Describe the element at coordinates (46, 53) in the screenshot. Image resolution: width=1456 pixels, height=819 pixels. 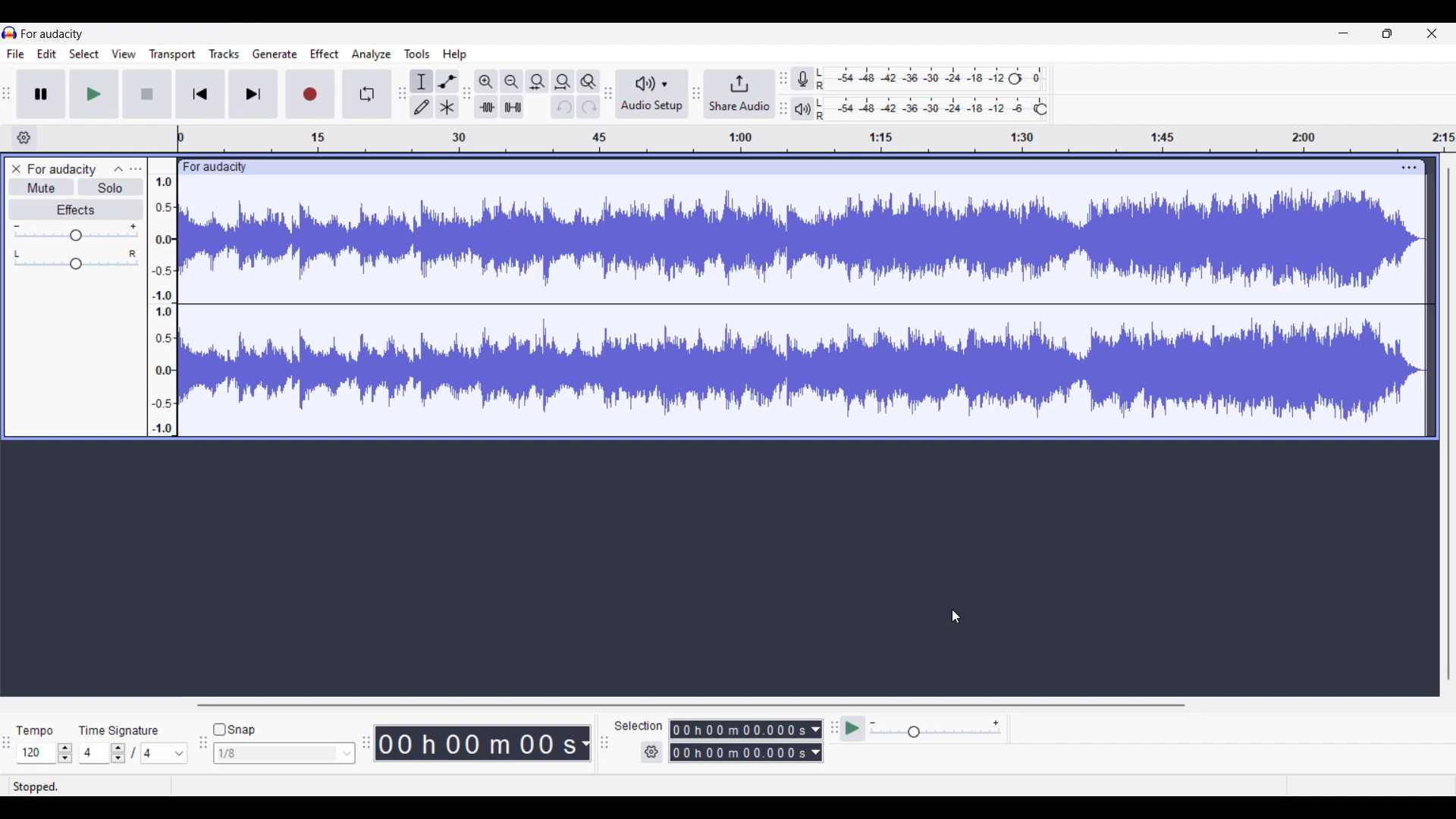
I see `Edit menu` at that location.